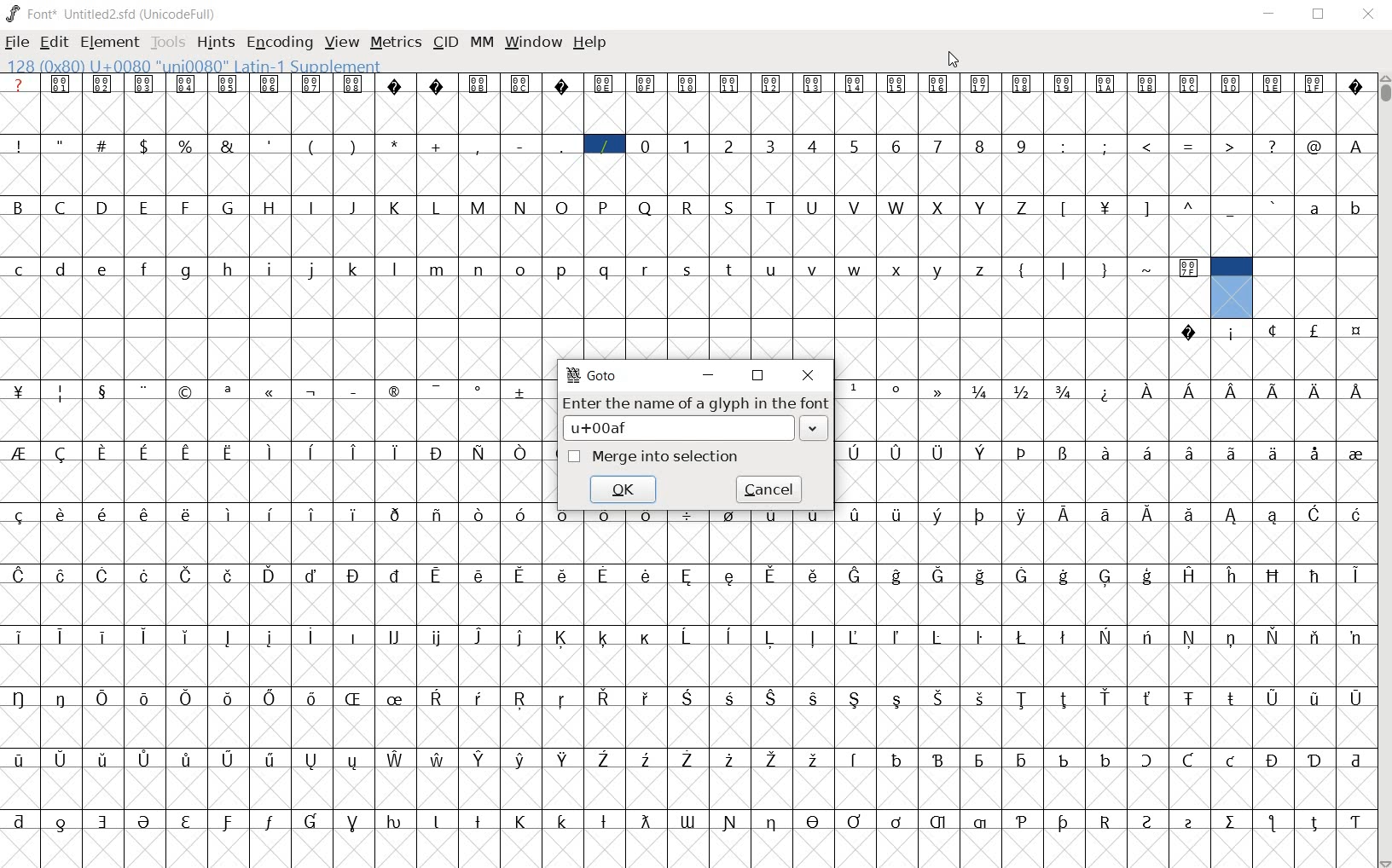 The width and height of the screenshot is (1392, 868). What do you see at coordinates (774, 758) in the screenshot?
I see `Symbol` at bounding box center [774, 758].